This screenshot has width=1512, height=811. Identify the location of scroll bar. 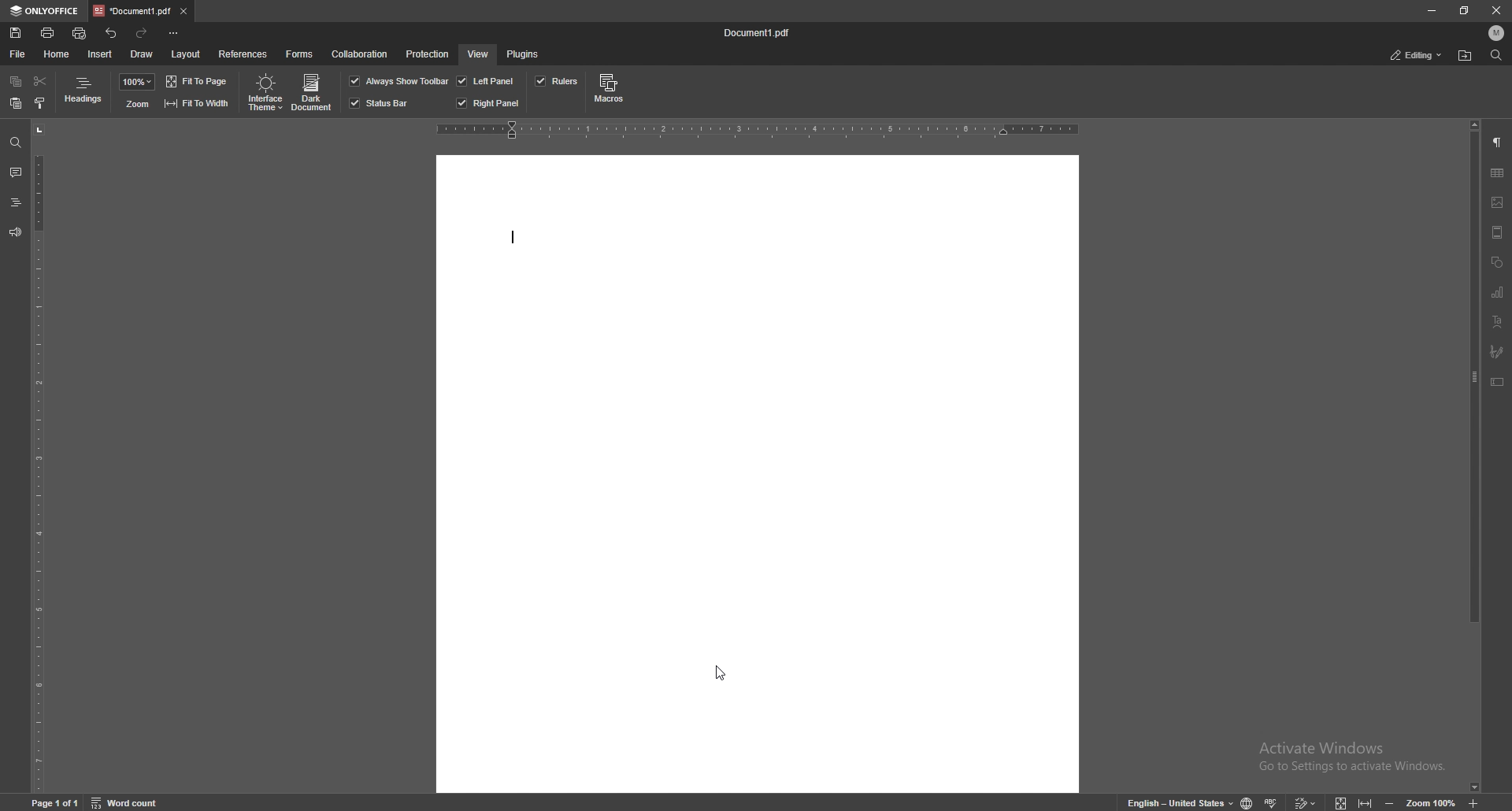
(1475, 455).